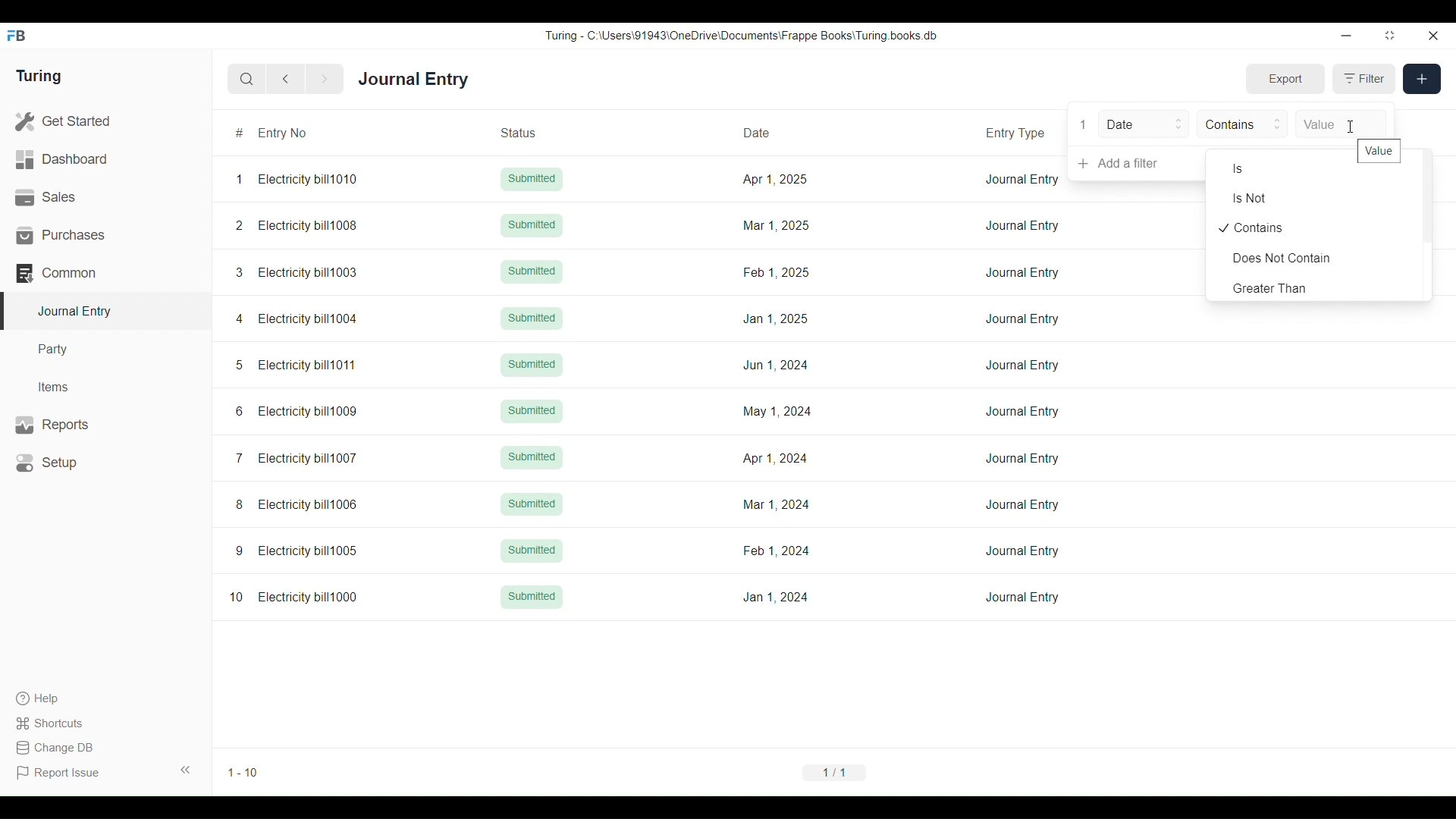 This screenshot has width=1456, height=819. I want to click on Submitted, so click(531, 503).